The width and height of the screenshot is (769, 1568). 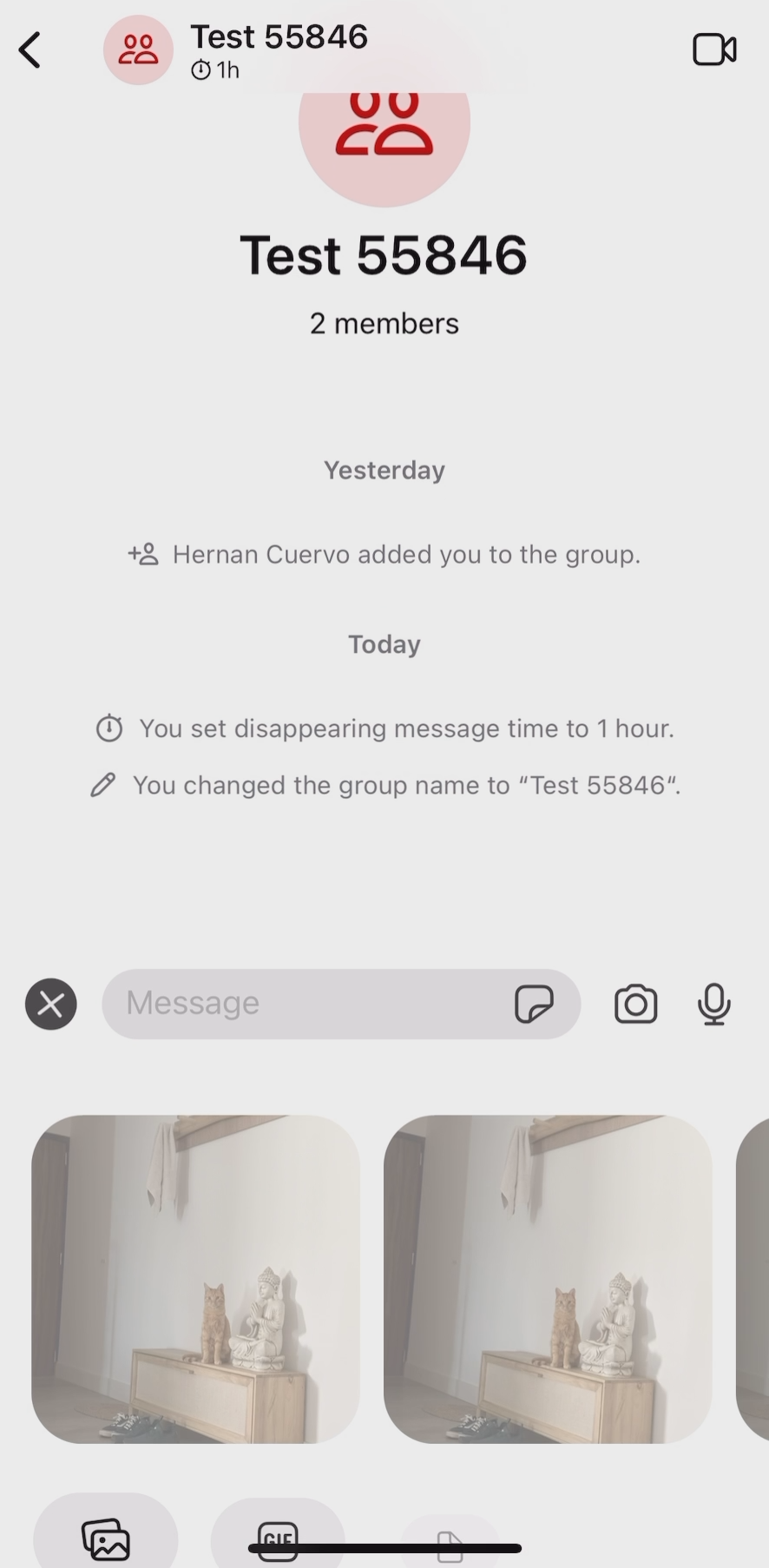 I want to click on Yesterday, so click(x=382, y=467).